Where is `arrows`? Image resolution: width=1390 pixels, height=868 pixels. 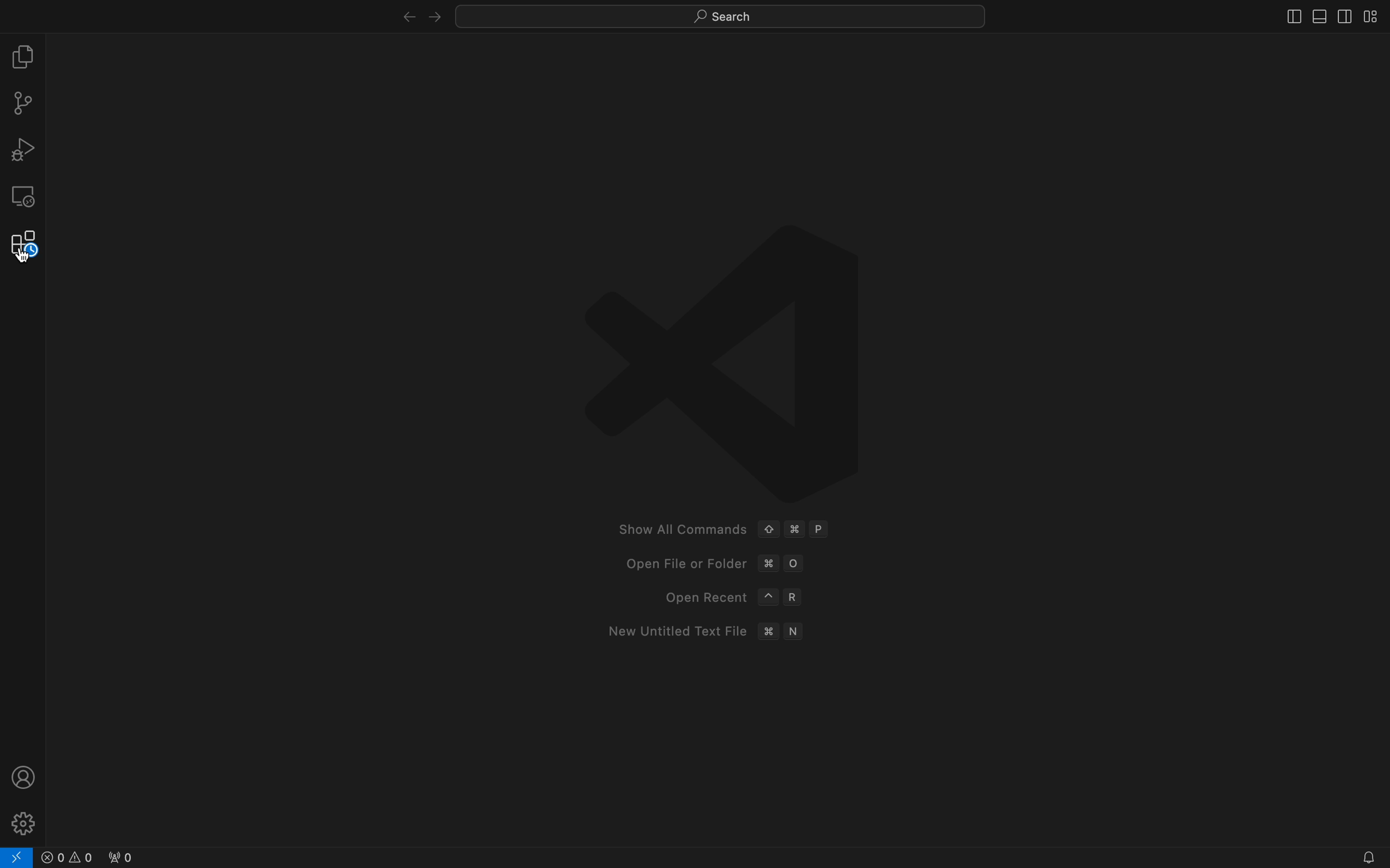
arrows is located at coordinates (419, 14).